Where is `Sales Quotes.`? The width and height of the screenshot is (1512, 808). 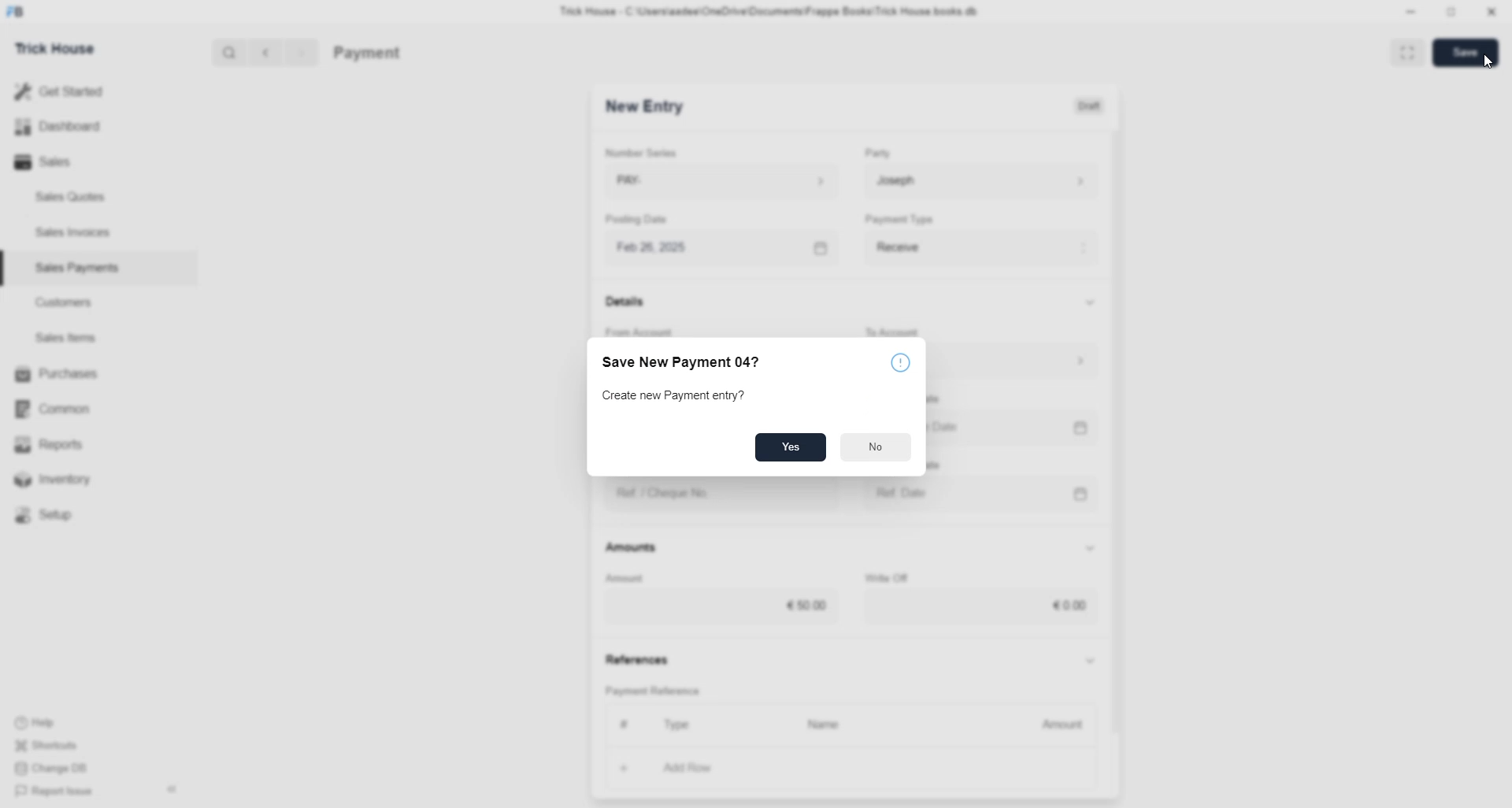 Sales Quotes. is located at coordinates (72, 196).